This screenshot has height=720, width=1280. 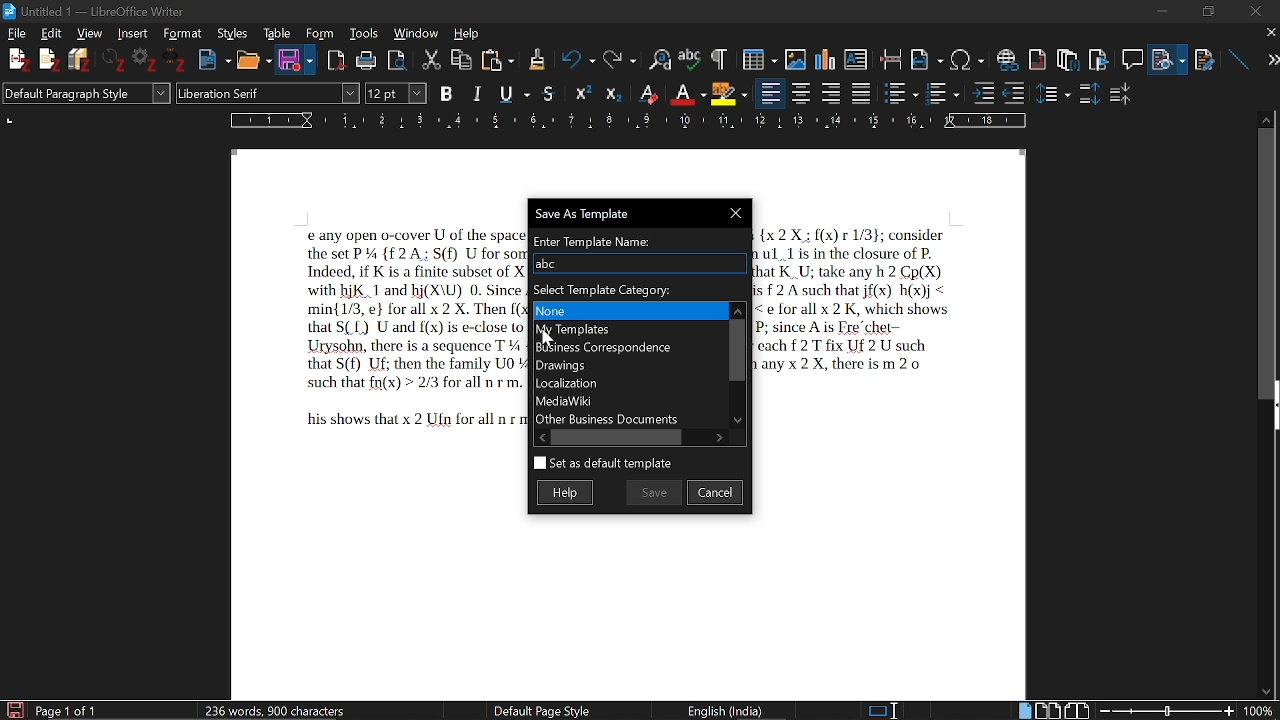 I want to click on Italics, so click(x=478, y=92).